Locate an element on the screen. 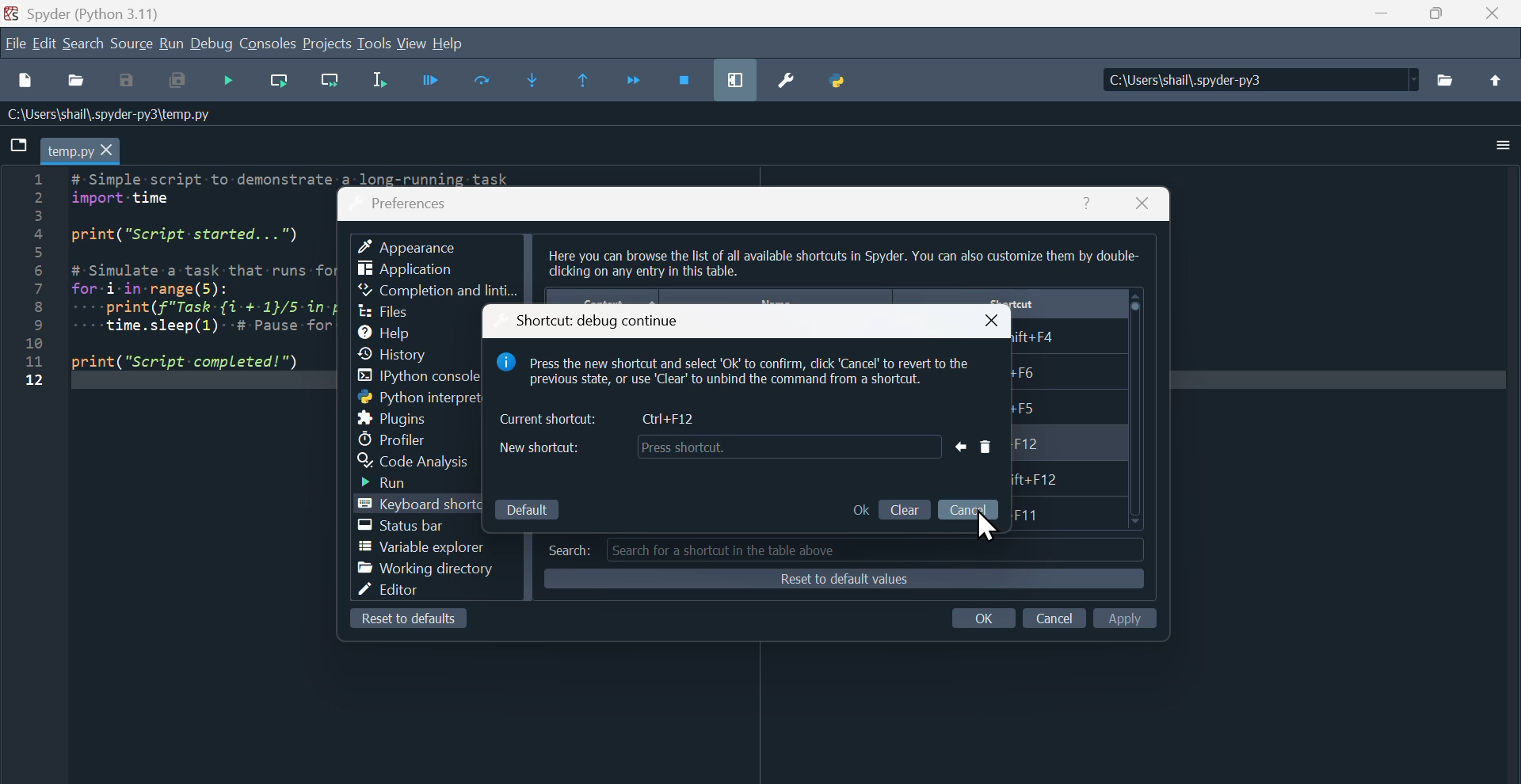   is located at coordinates (115, 116).